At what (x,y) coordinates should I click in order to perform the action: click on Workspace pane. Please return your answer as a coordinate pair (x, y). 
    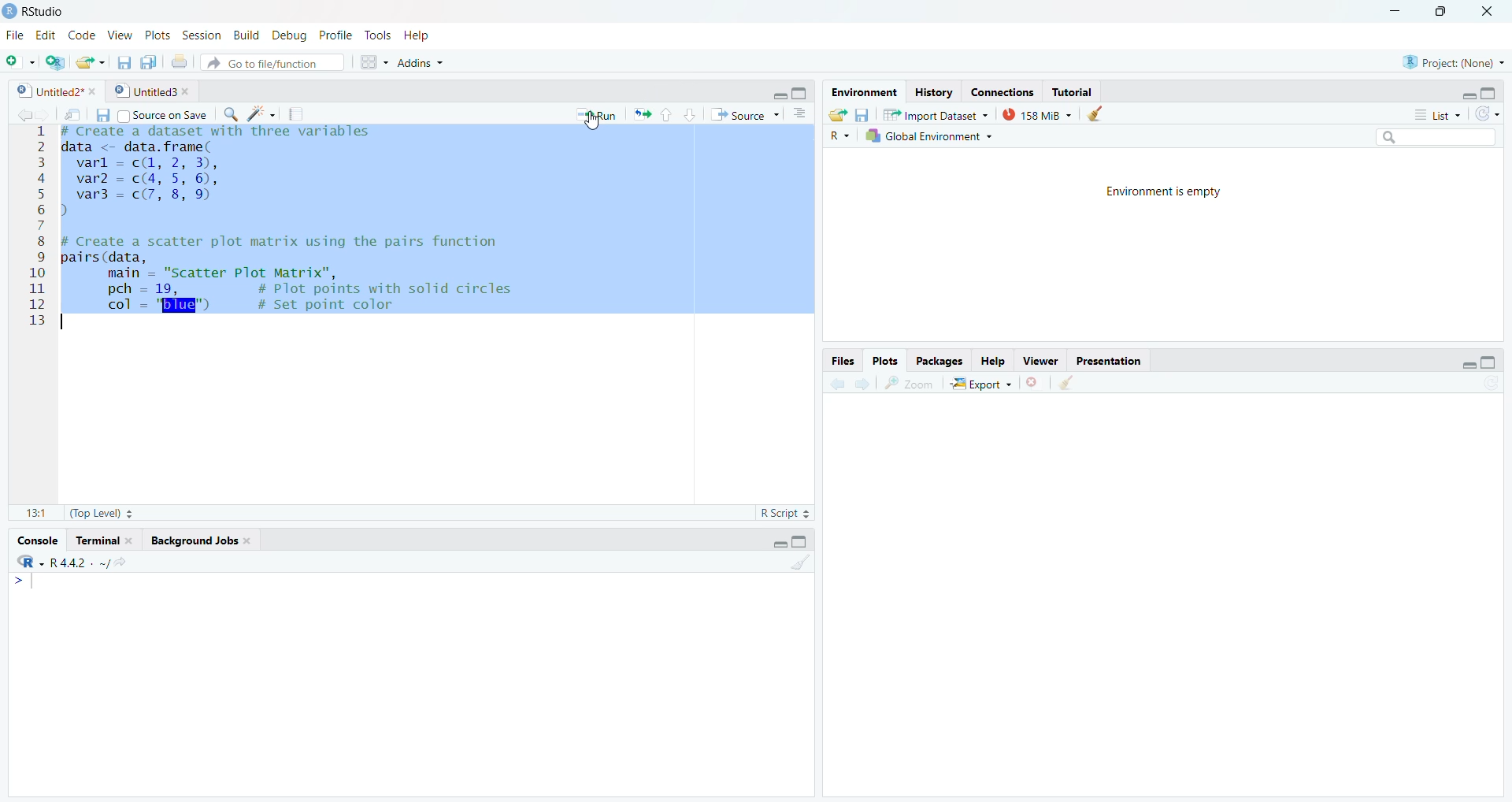
    Looking at the image, I should click on (370, 64).